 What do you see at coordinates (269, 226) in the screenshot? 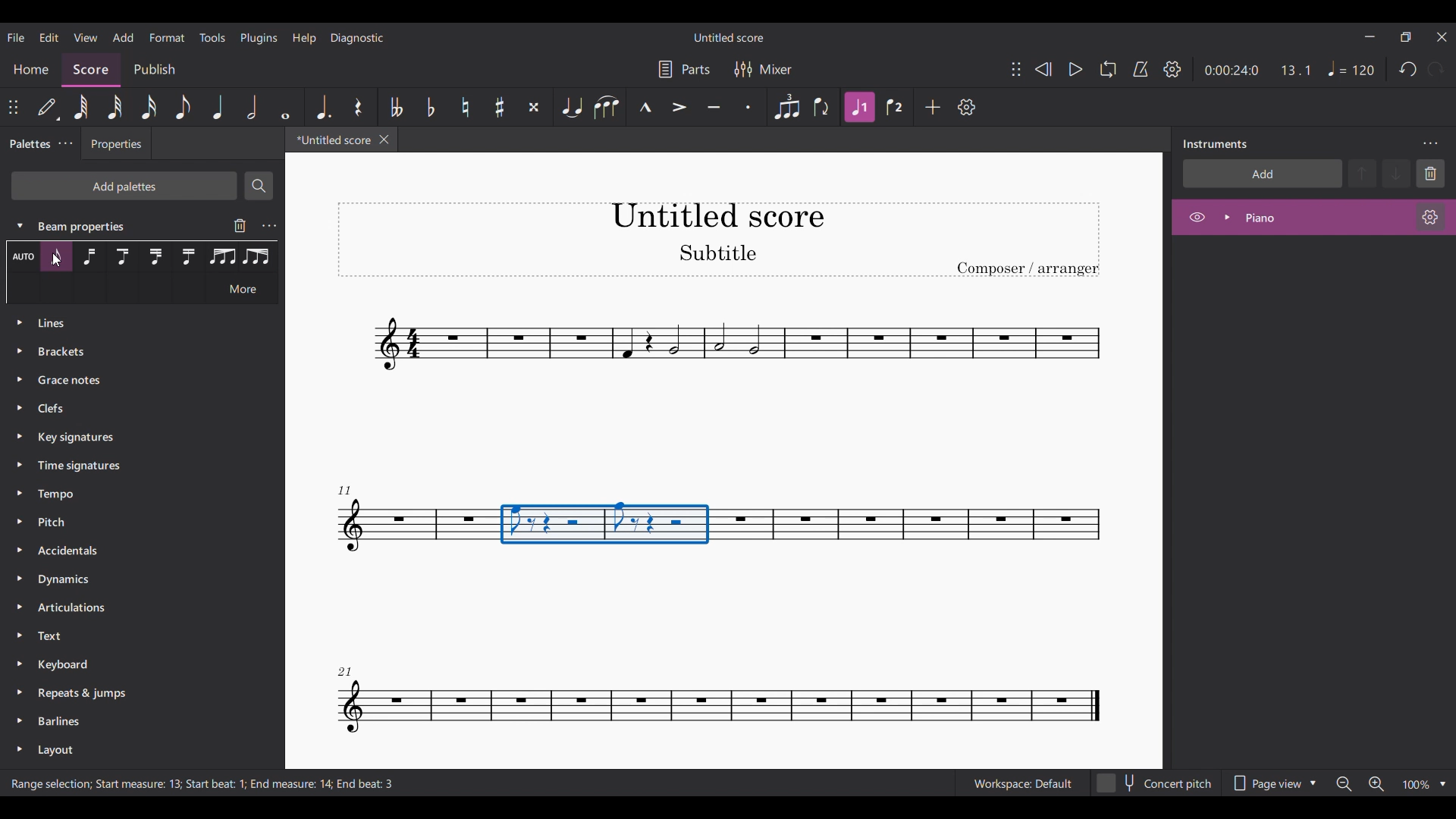
I see `Instrument settings` at bounding box center [269, 226].